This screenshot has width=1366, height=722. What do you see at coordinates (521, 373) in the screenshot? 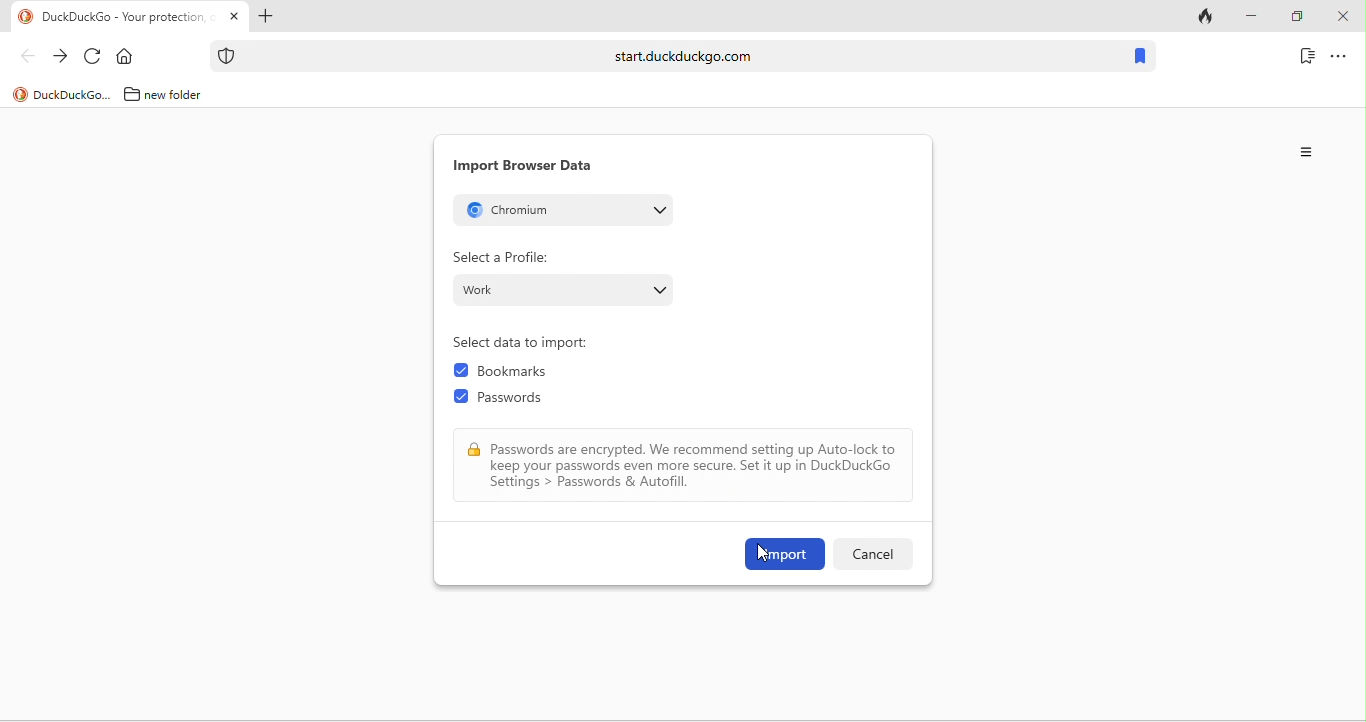
I see `bookmarks` at bounding box center [521, 373].